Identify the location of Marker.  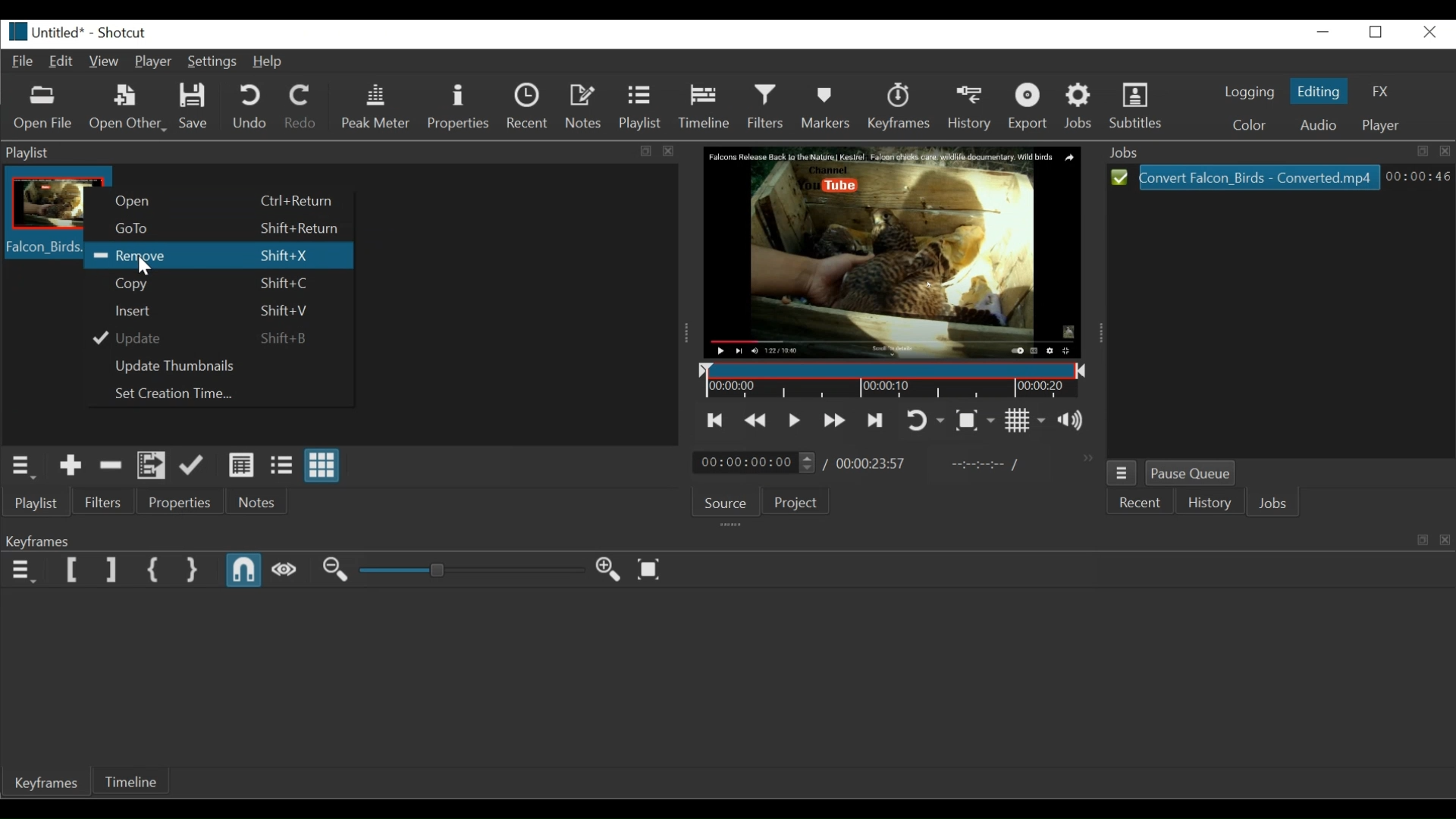
(825, 108).